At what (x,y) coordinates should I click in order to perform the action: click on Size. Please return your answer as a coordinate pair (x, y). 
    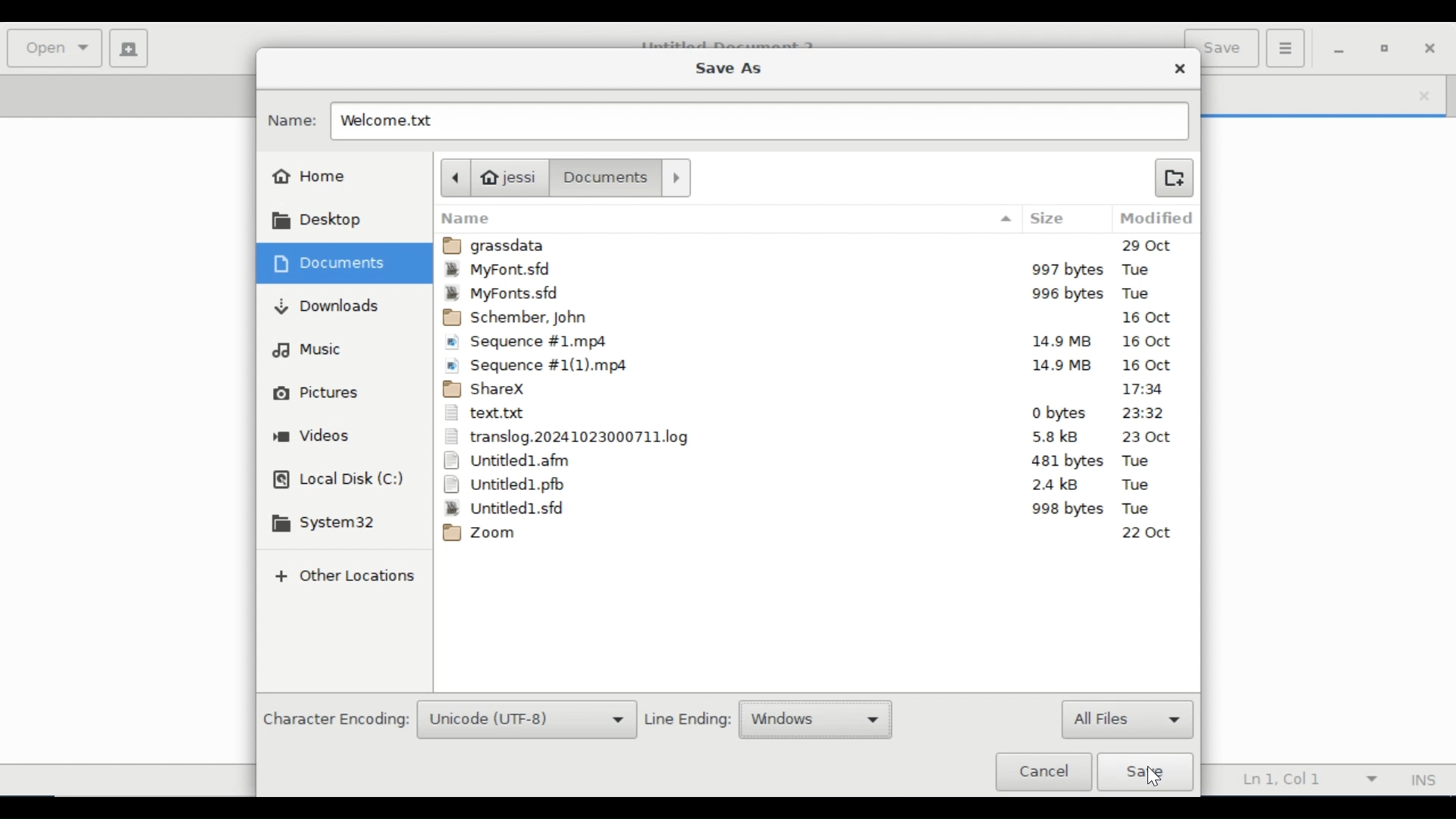
    Looking at the image, I should click on (1050, 218).